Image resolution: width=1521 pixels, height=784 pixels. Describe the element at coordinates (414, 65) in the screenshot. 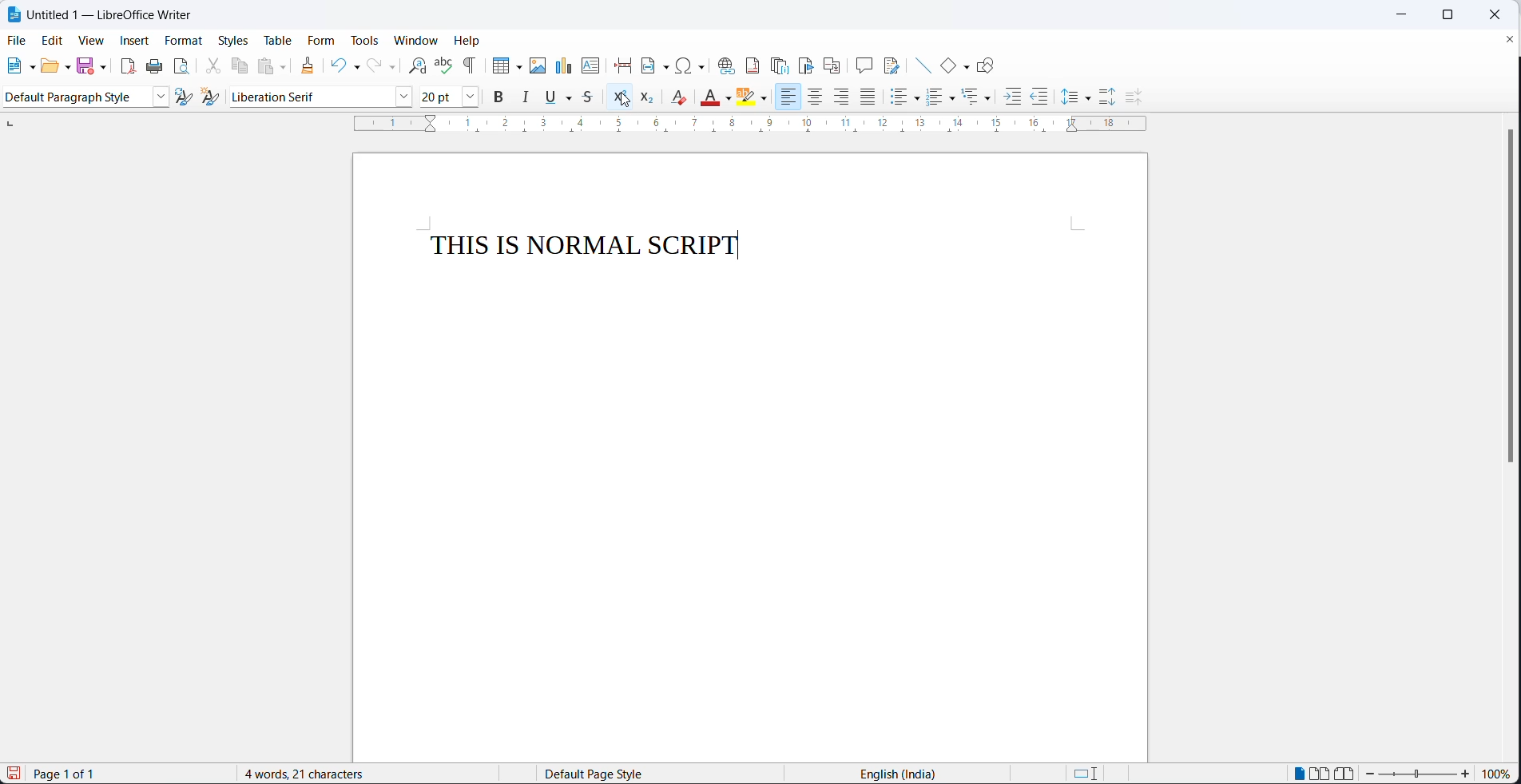

I see `find and replace` at that location.